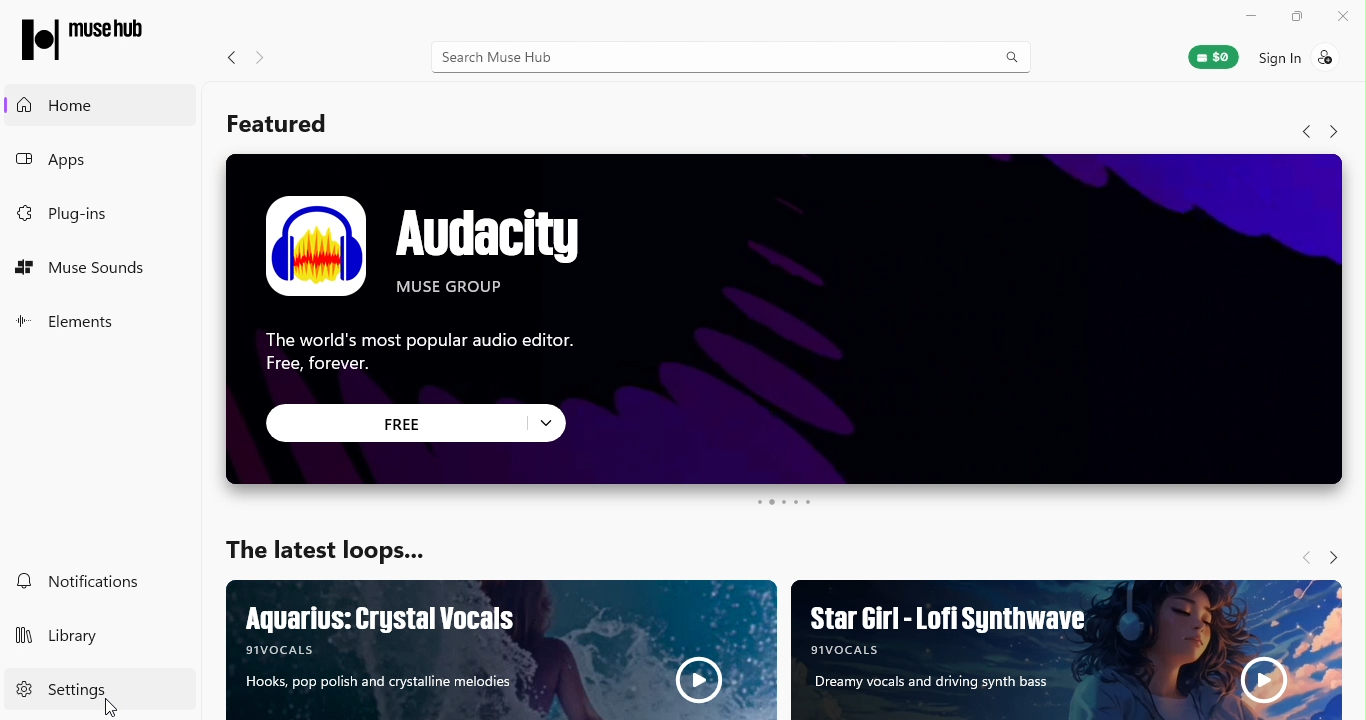 The width and height of the screenshot is (1366, 720). What do you see at coordinates (552, 423) in the screenshot?
I see `free options` at bounding box center [552, 423].